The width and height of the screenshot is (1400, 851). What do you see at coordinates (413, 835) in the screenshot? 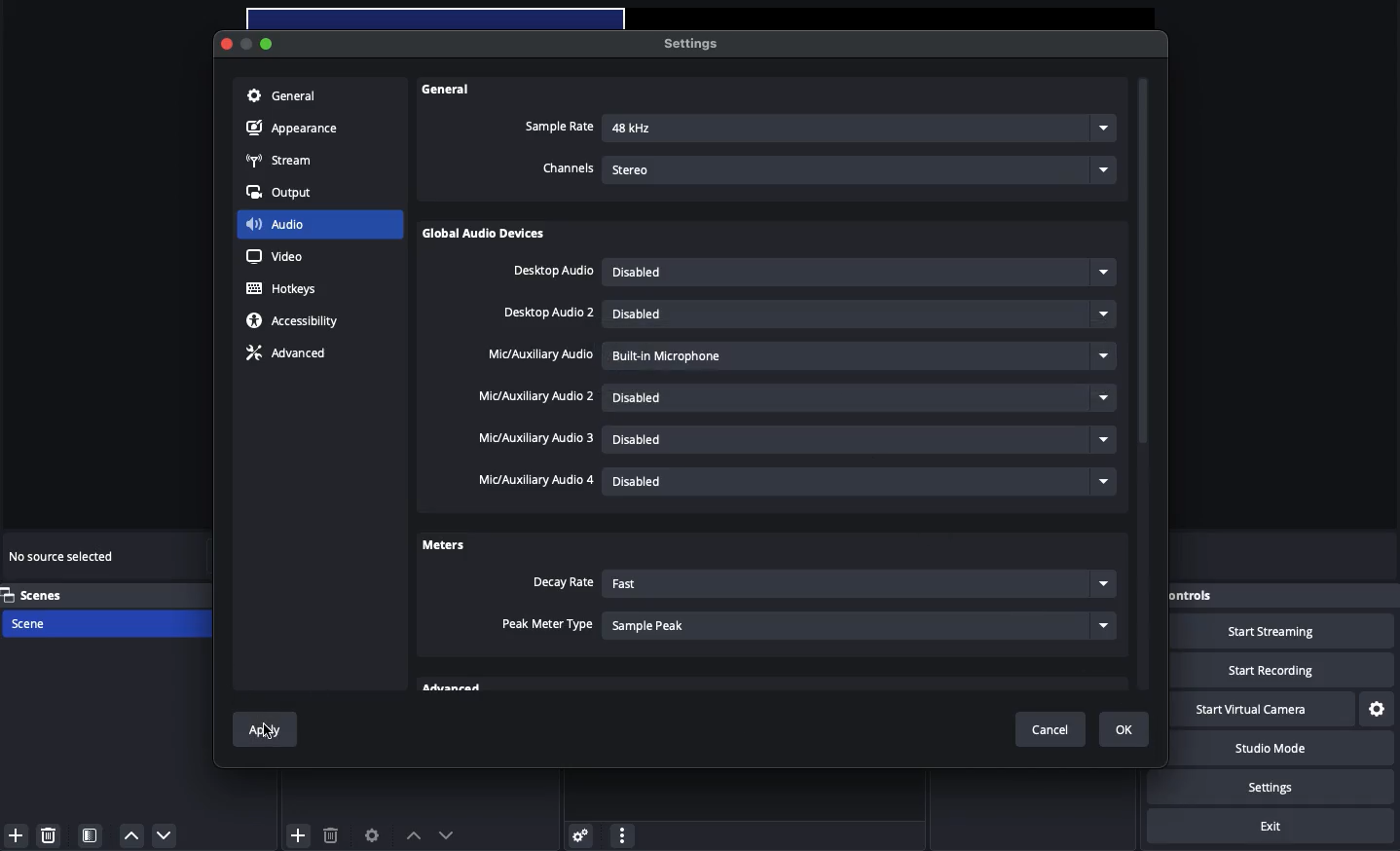
I see `Move up` at bounding box center [413, 835].